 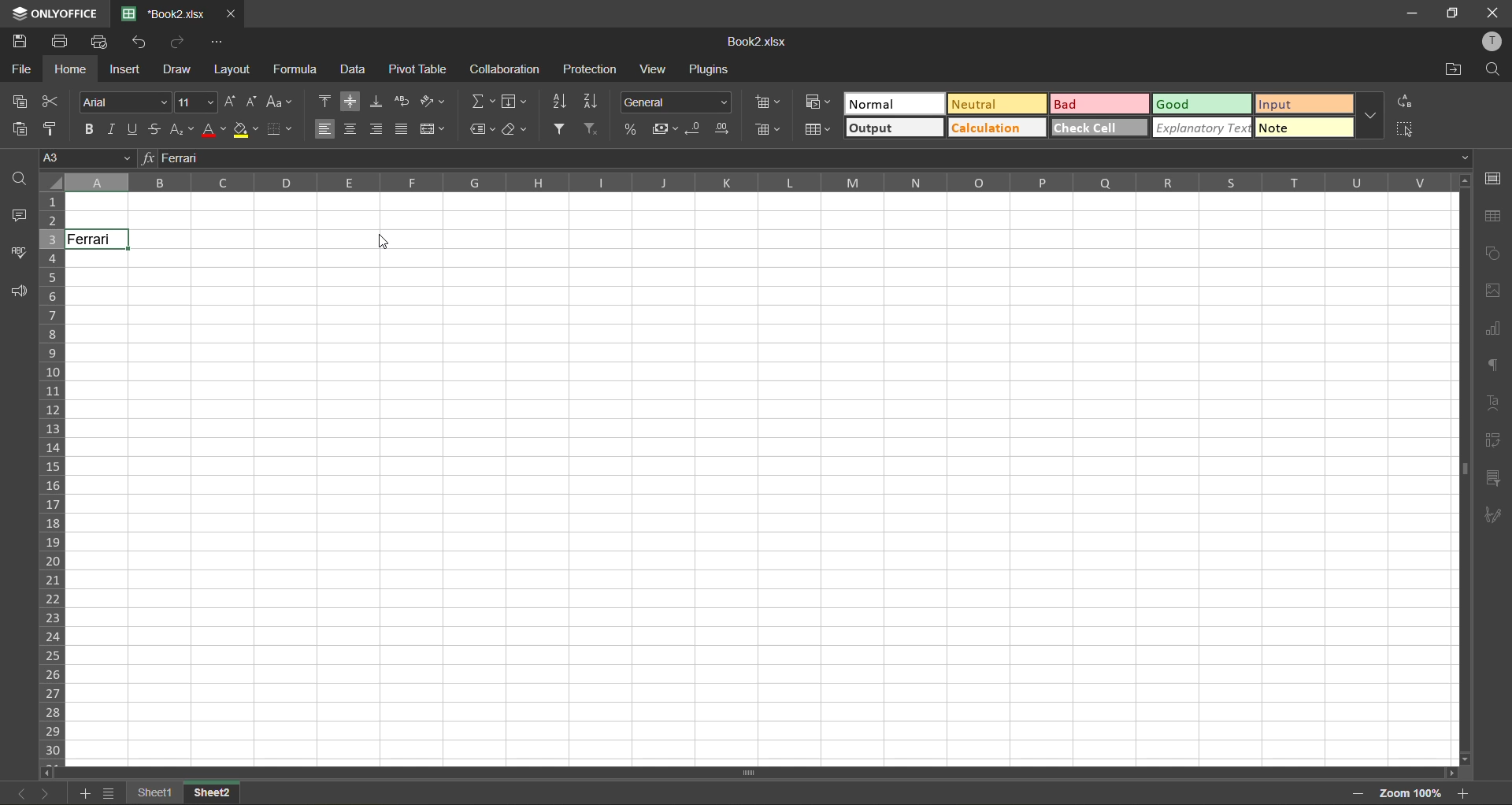 What do you see at coordinates (893, 103) in the screenshot?
I see `normal` at bounding box center [893, 103].